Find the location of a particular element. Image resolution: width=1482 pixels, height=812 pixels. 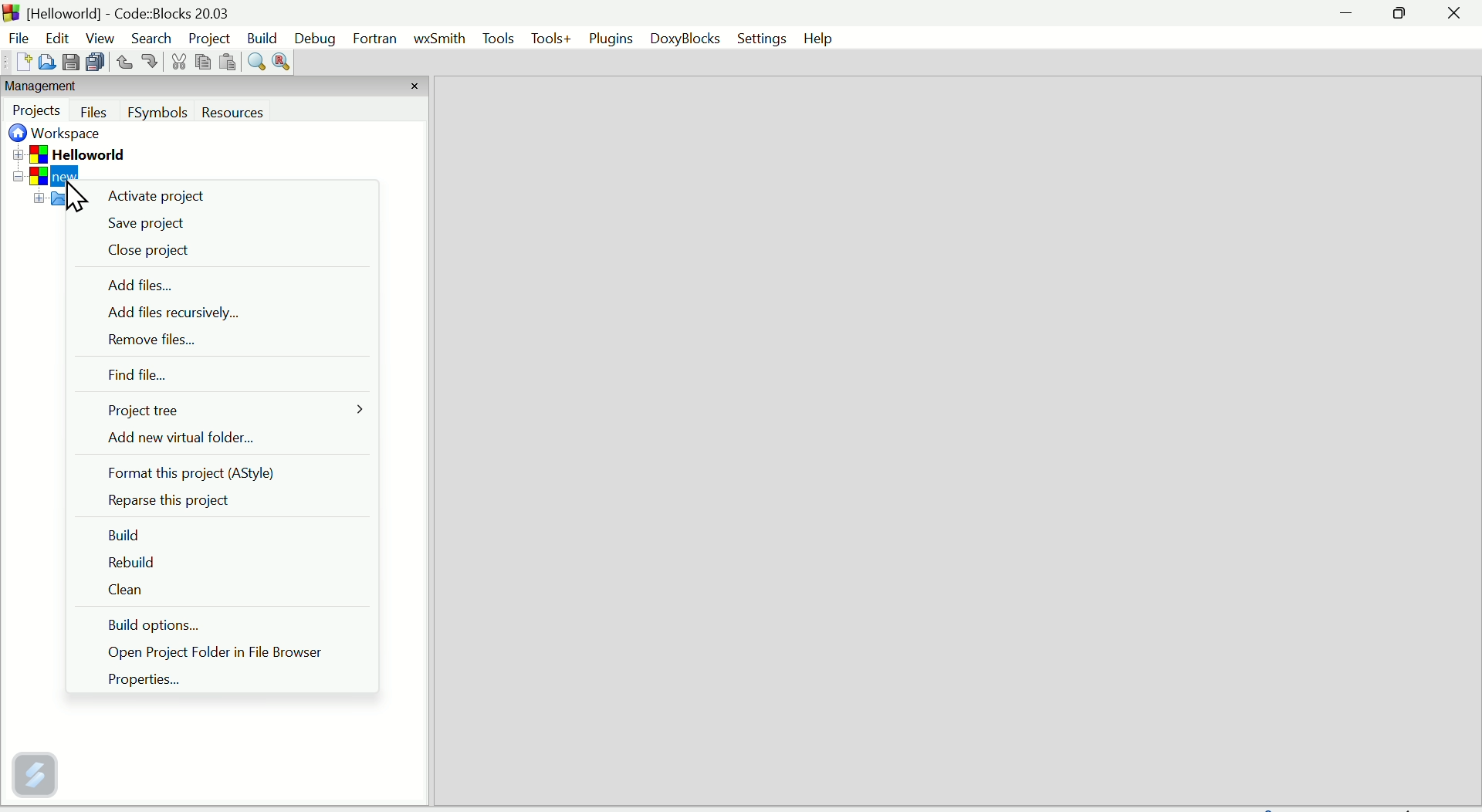

 is located at coordinates (96, 112).